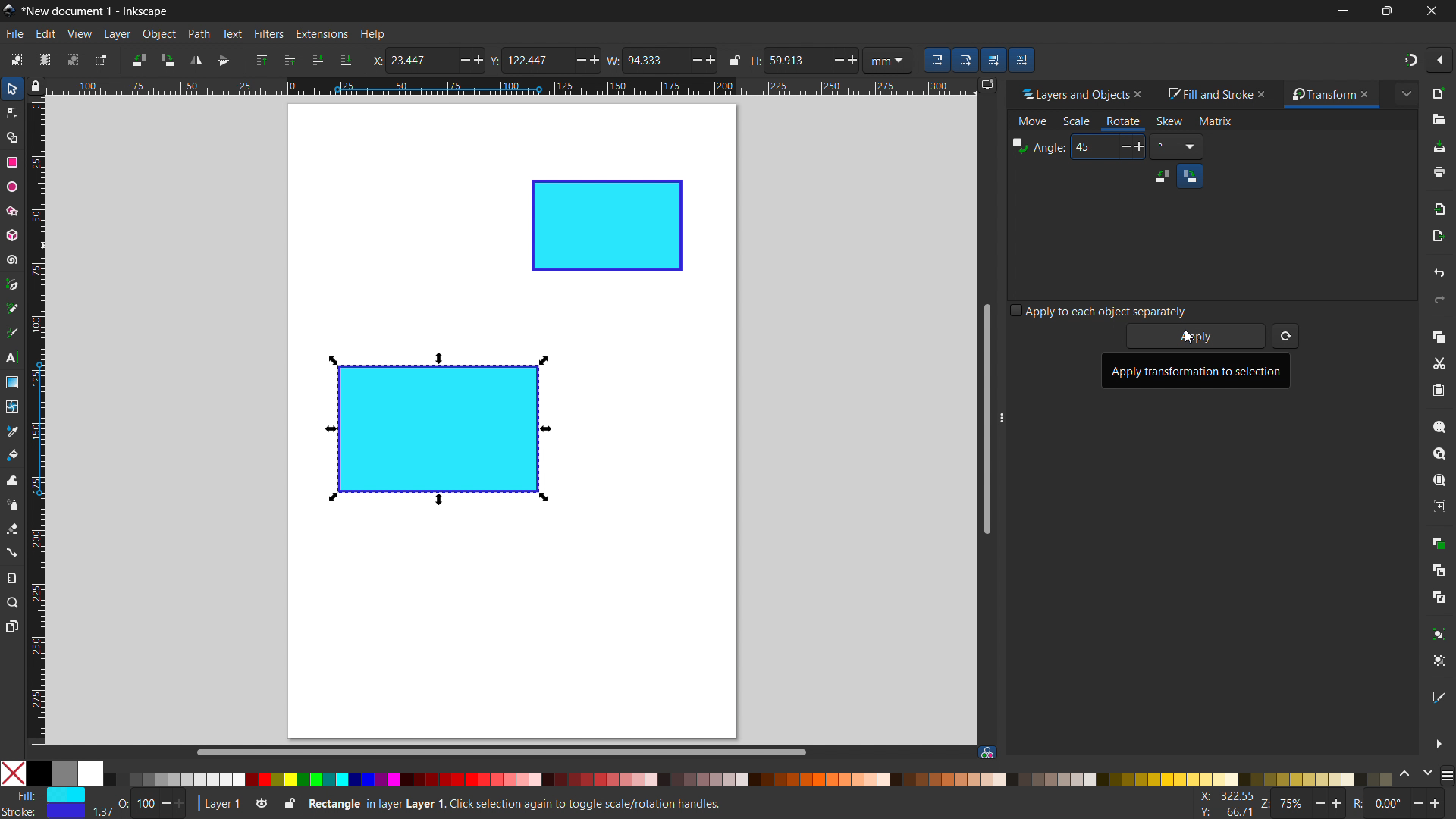 This screenshot has height=819, width=1456. I want to click on apply, so click(1197, 337).